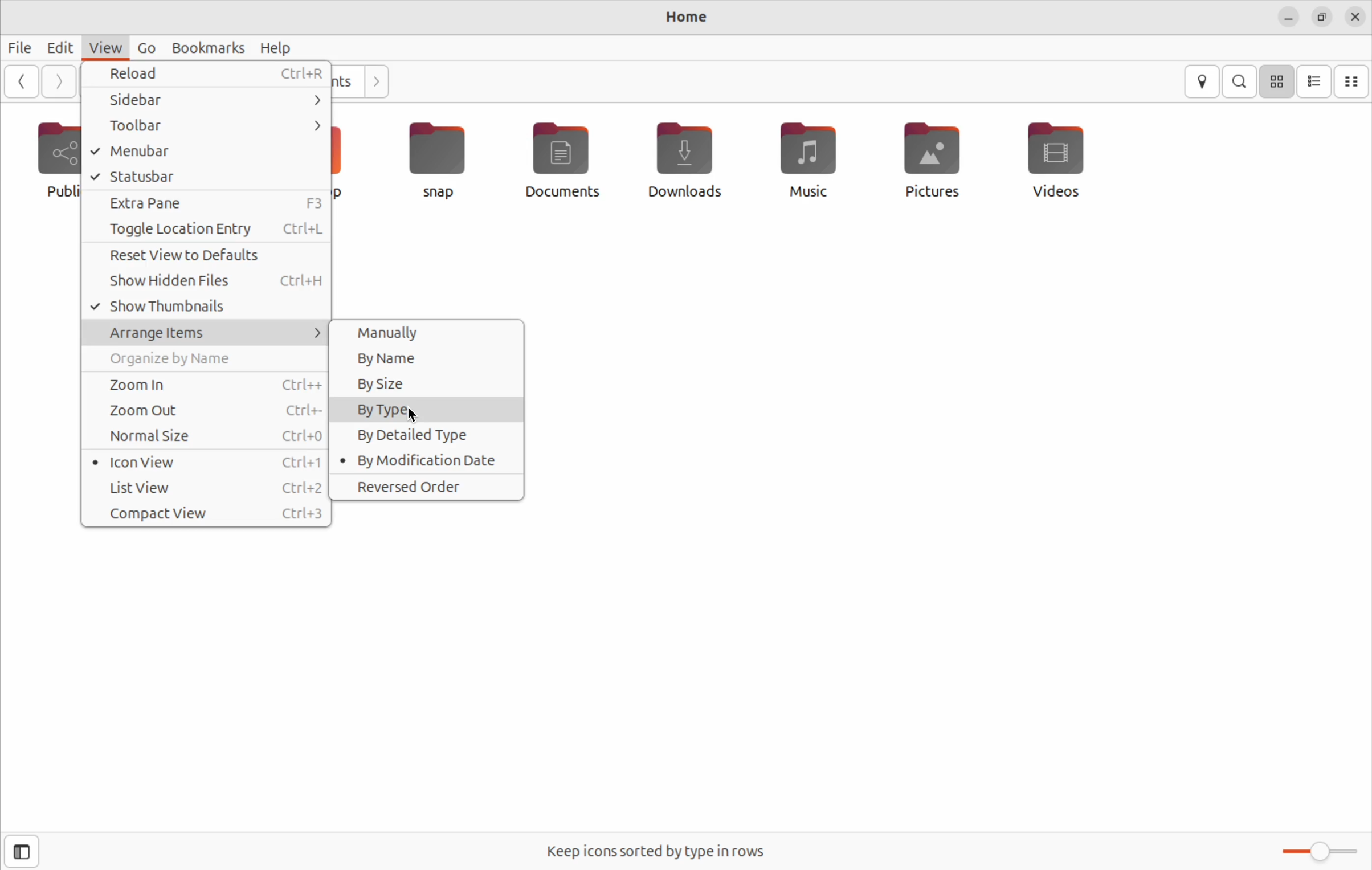  What do you see at coordinates (207, 76) in the screenshot?
I see `reload` at bounding box center [207, 76].